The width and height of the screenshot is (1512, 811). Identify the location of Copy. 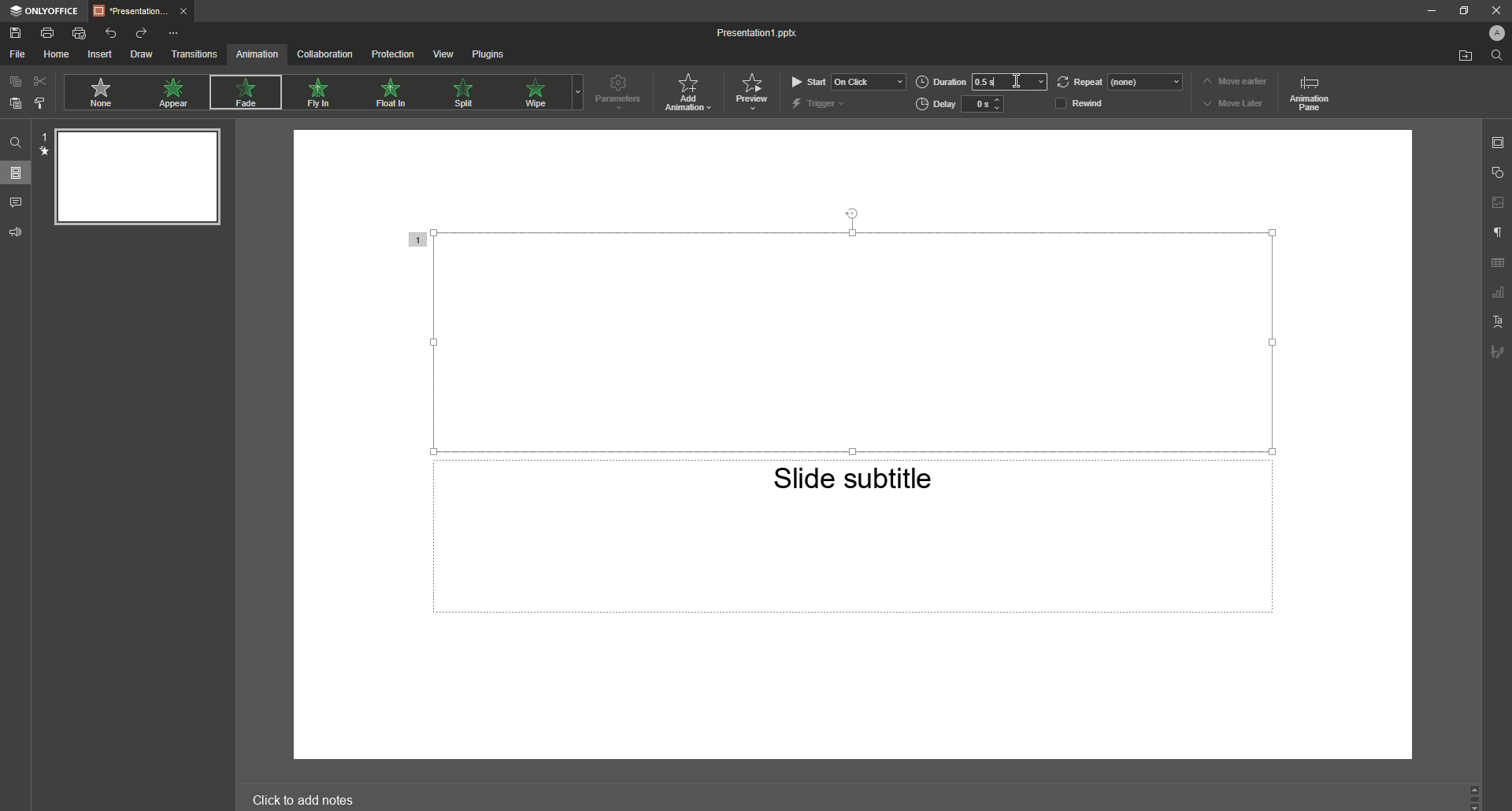
(14, 83).